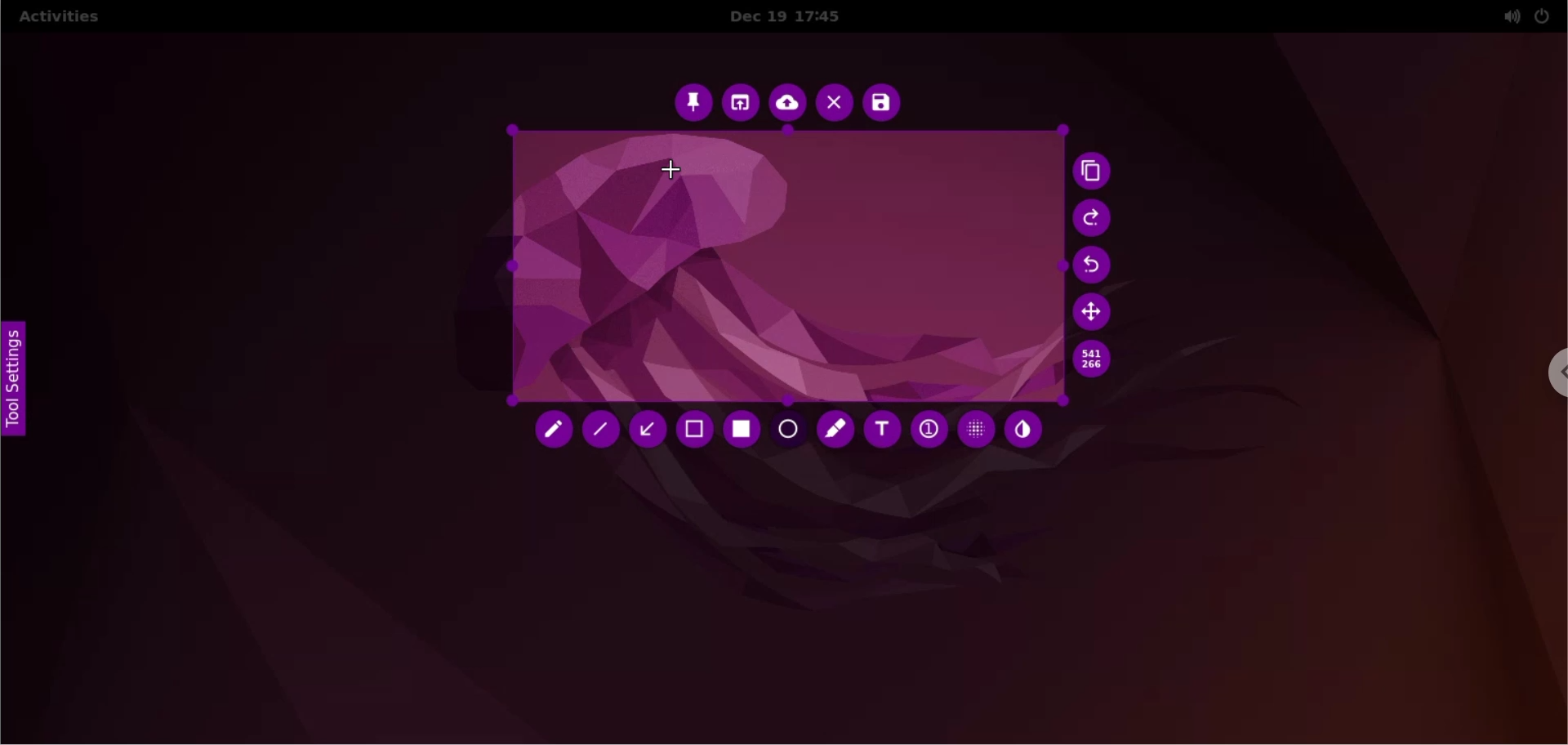 Image resolution: width=1568 pixels, height=745 pixels. What do you see at coordinates (742, 103) in the screenshot?
I see `choose app to open screenshot` at bounding box center [742, 103].